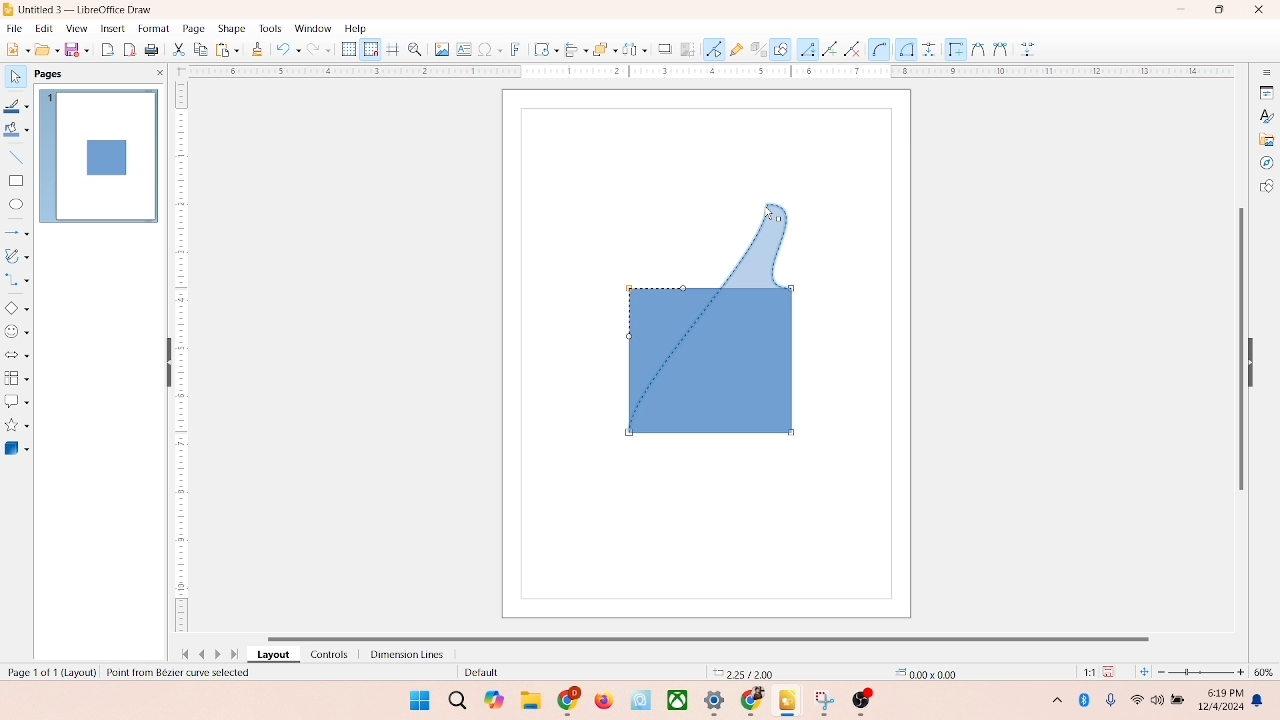 The height and width of the screenshot is (720, 1280). I want to click on page 1, so click(99, 155).